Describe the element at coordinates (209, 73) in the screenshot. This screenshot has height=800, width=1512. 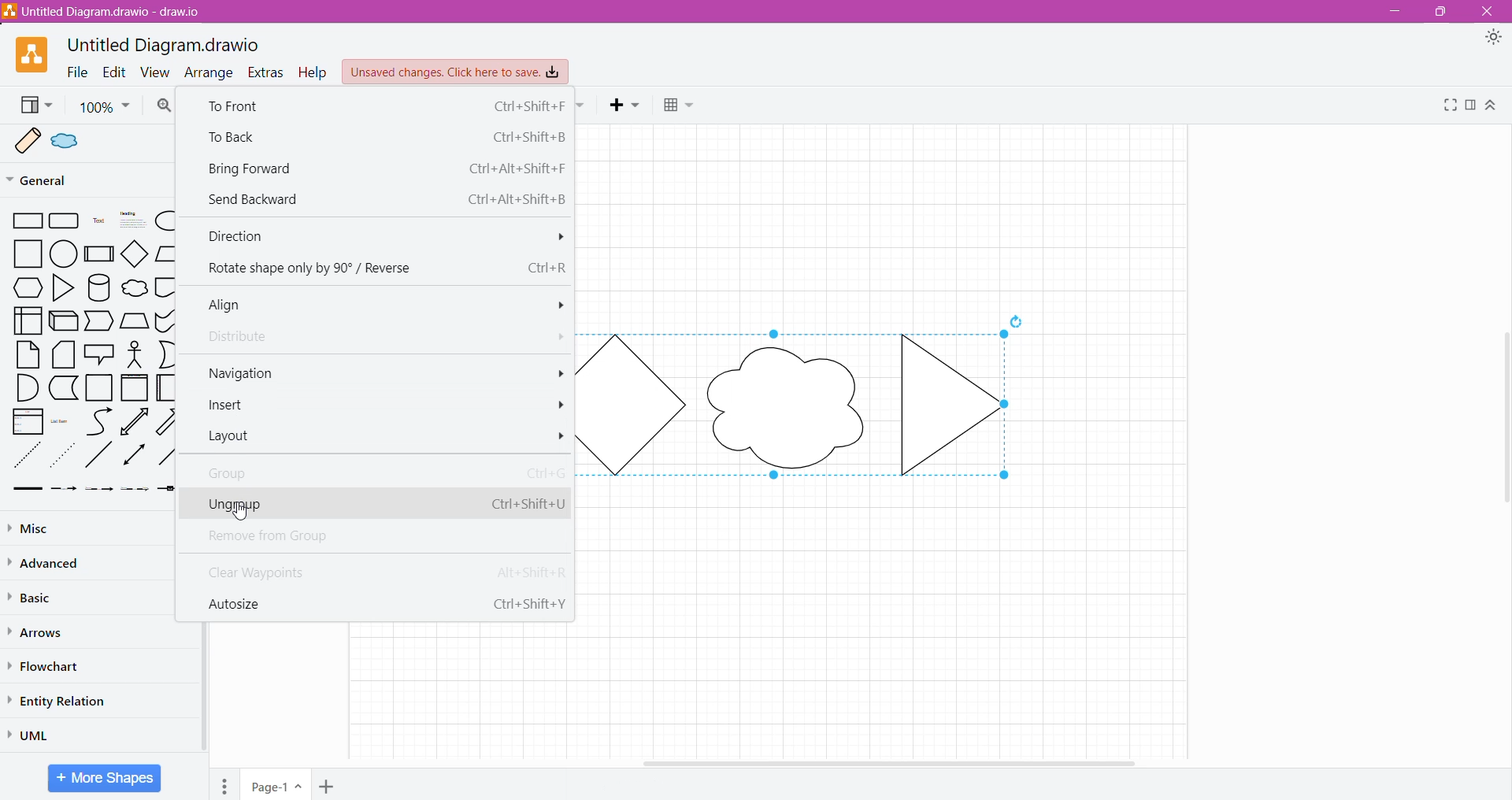
I see `Arrange` at that location.